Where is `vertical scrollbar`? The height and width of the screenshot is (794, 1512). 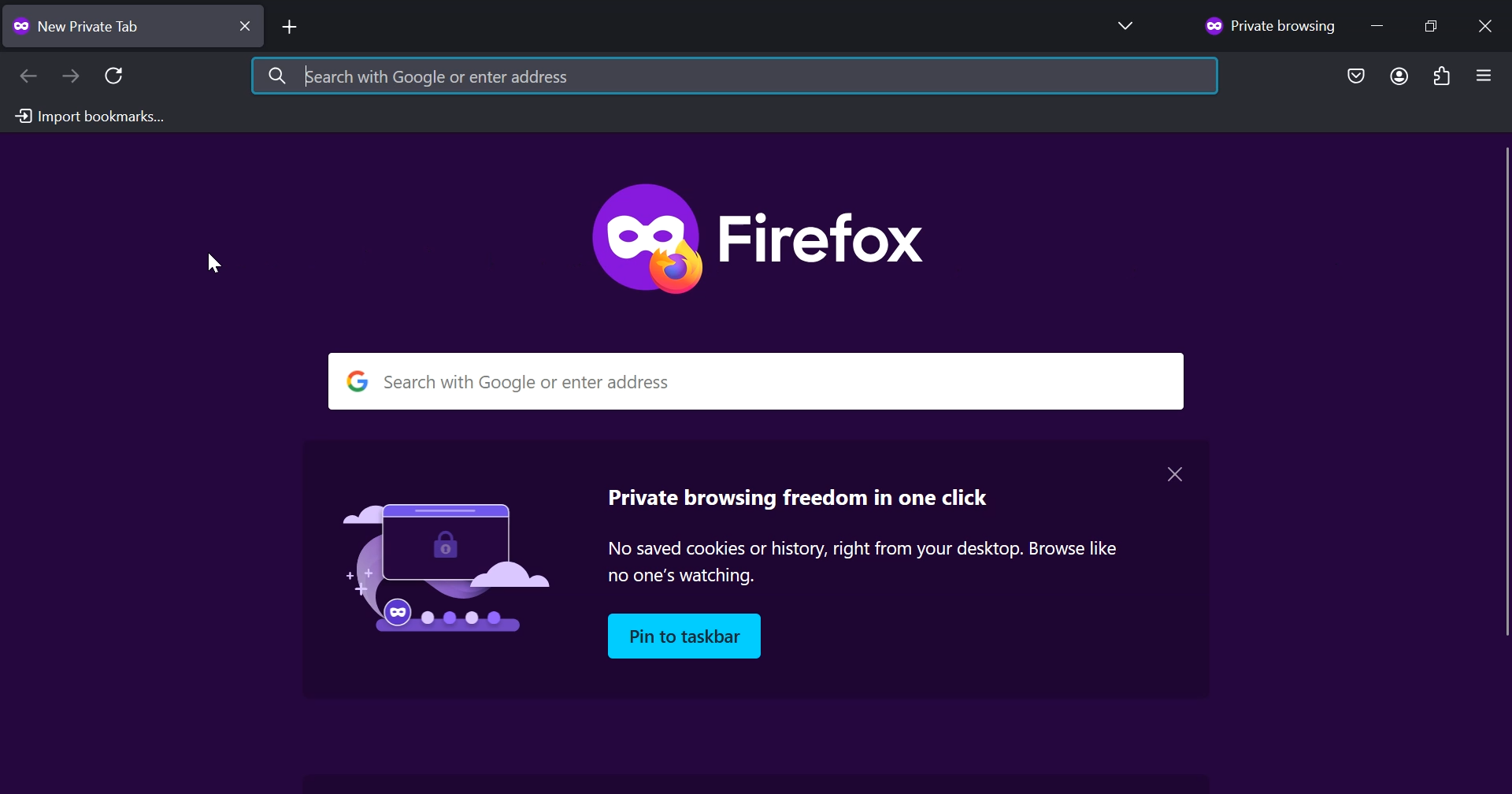 vertical scrollbar is located at coordinates (1503, 391).